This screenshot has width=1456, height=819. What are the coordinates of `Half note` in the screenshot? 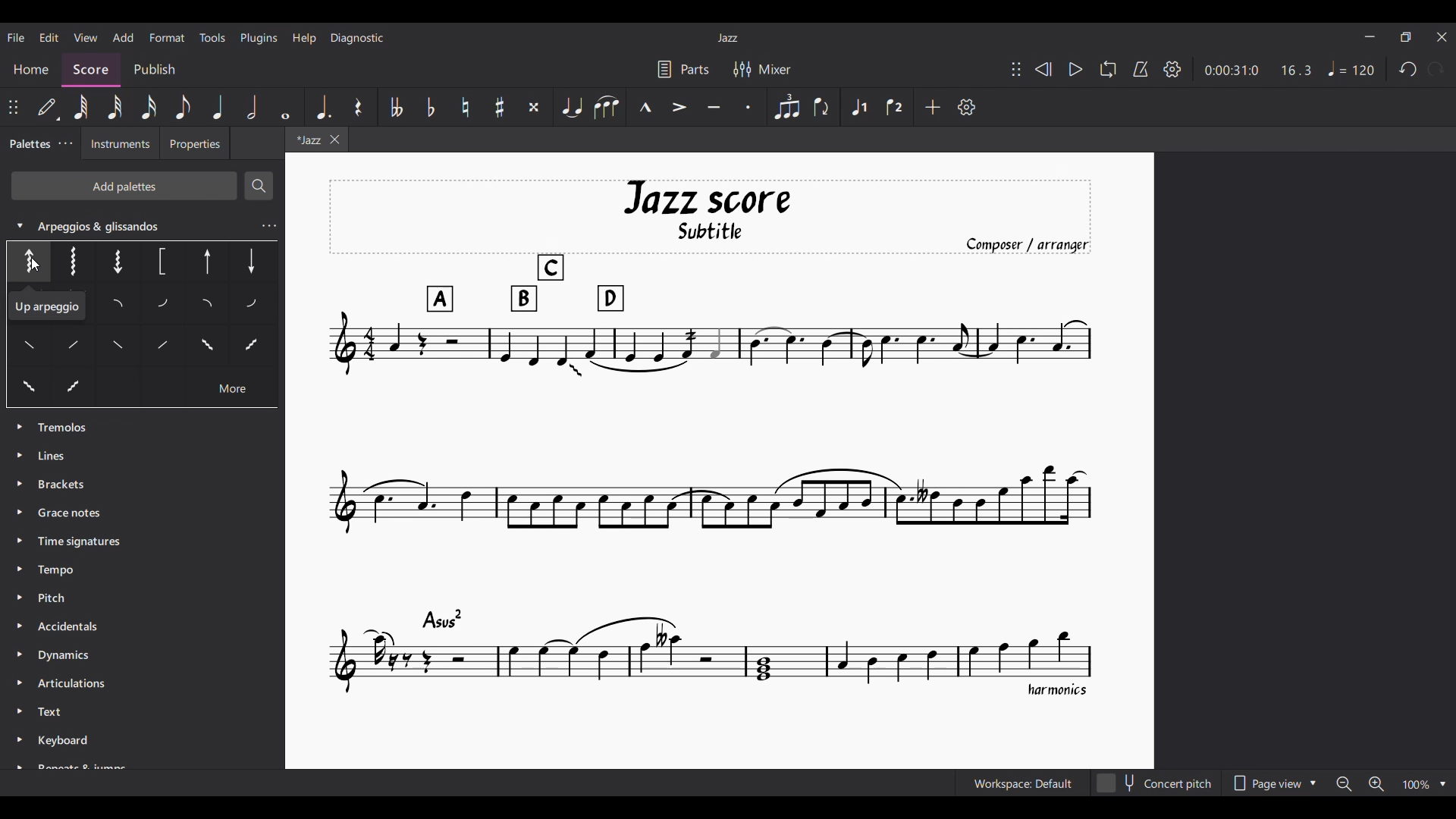 It's located at (252, 106).